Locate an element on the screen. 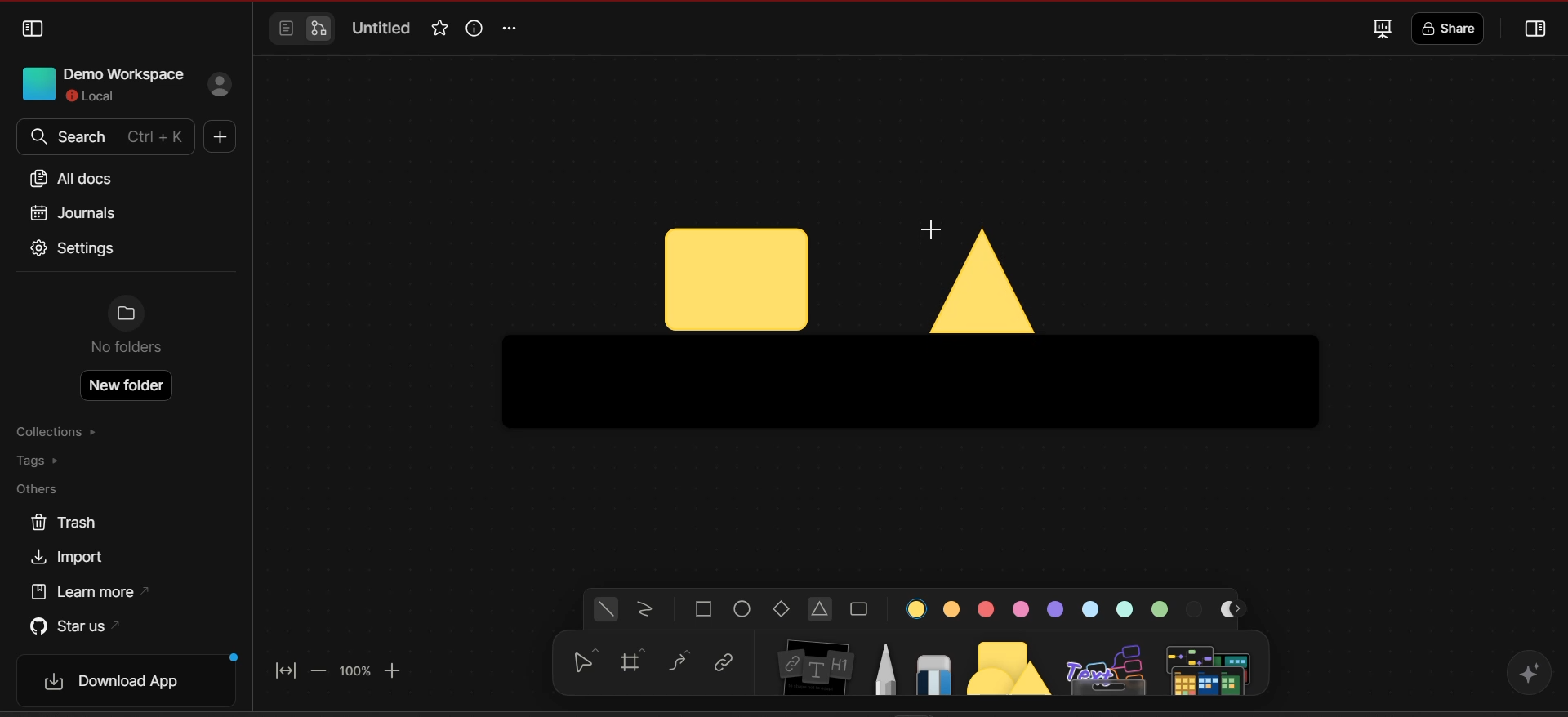  collections is located at coordinates (60, 433).